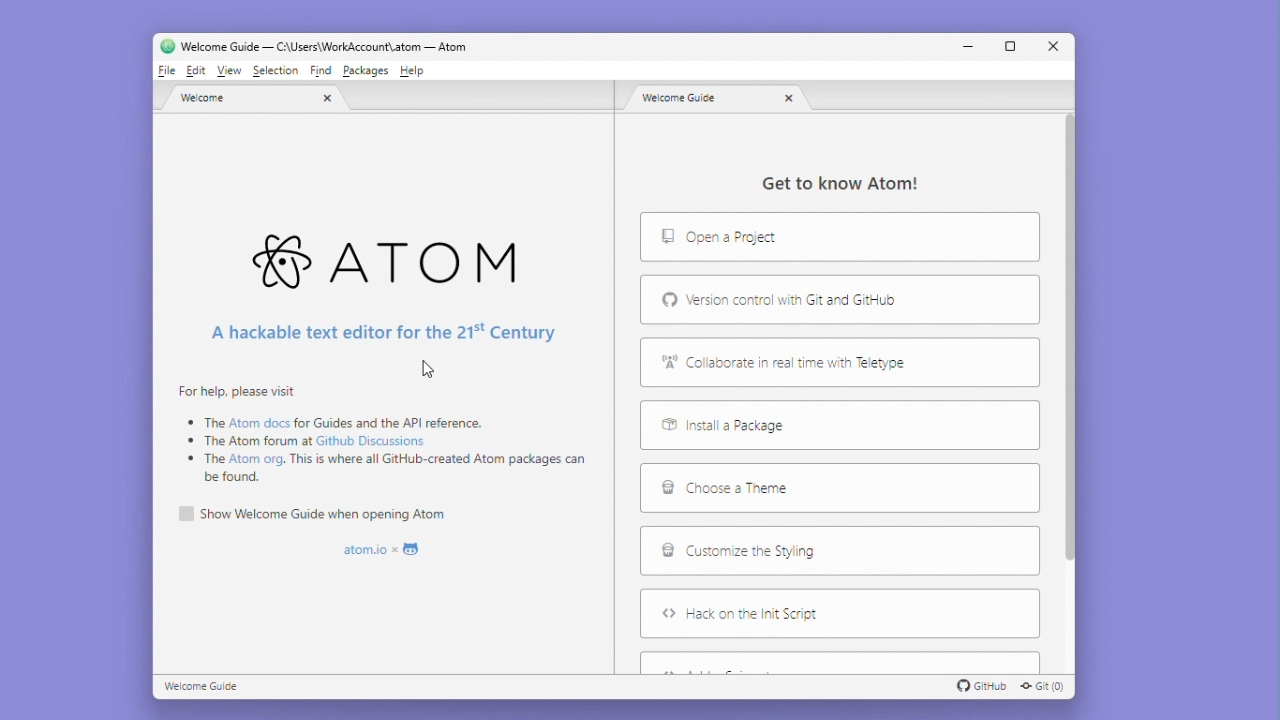 This screenshot has height=720, width=1280. Describe the element at coordinates (195, 71) in the screenshot. I see `Edit` at that location.